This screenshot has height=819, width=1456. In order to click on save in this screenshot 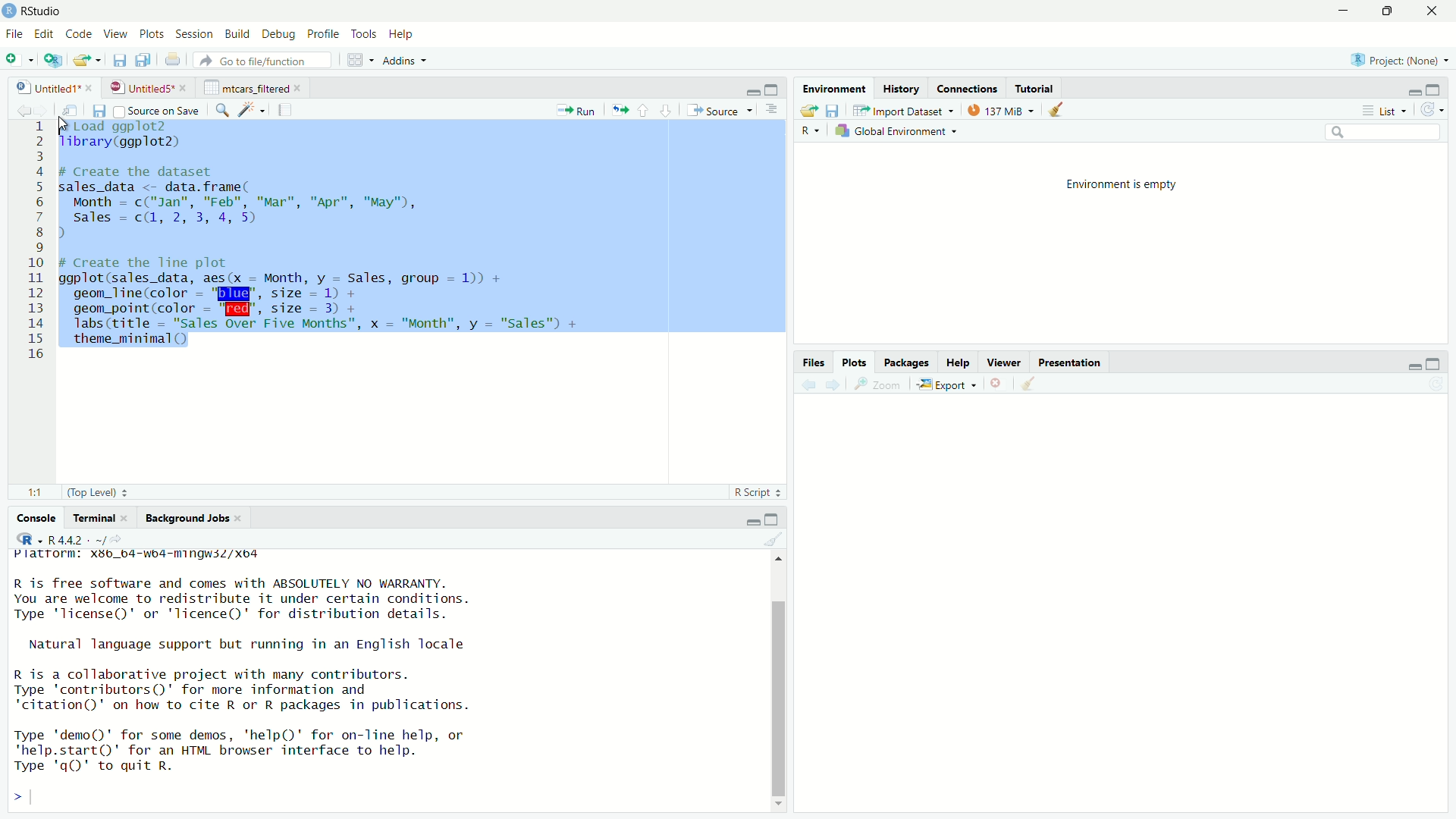, I will do `click(121, 61)`.